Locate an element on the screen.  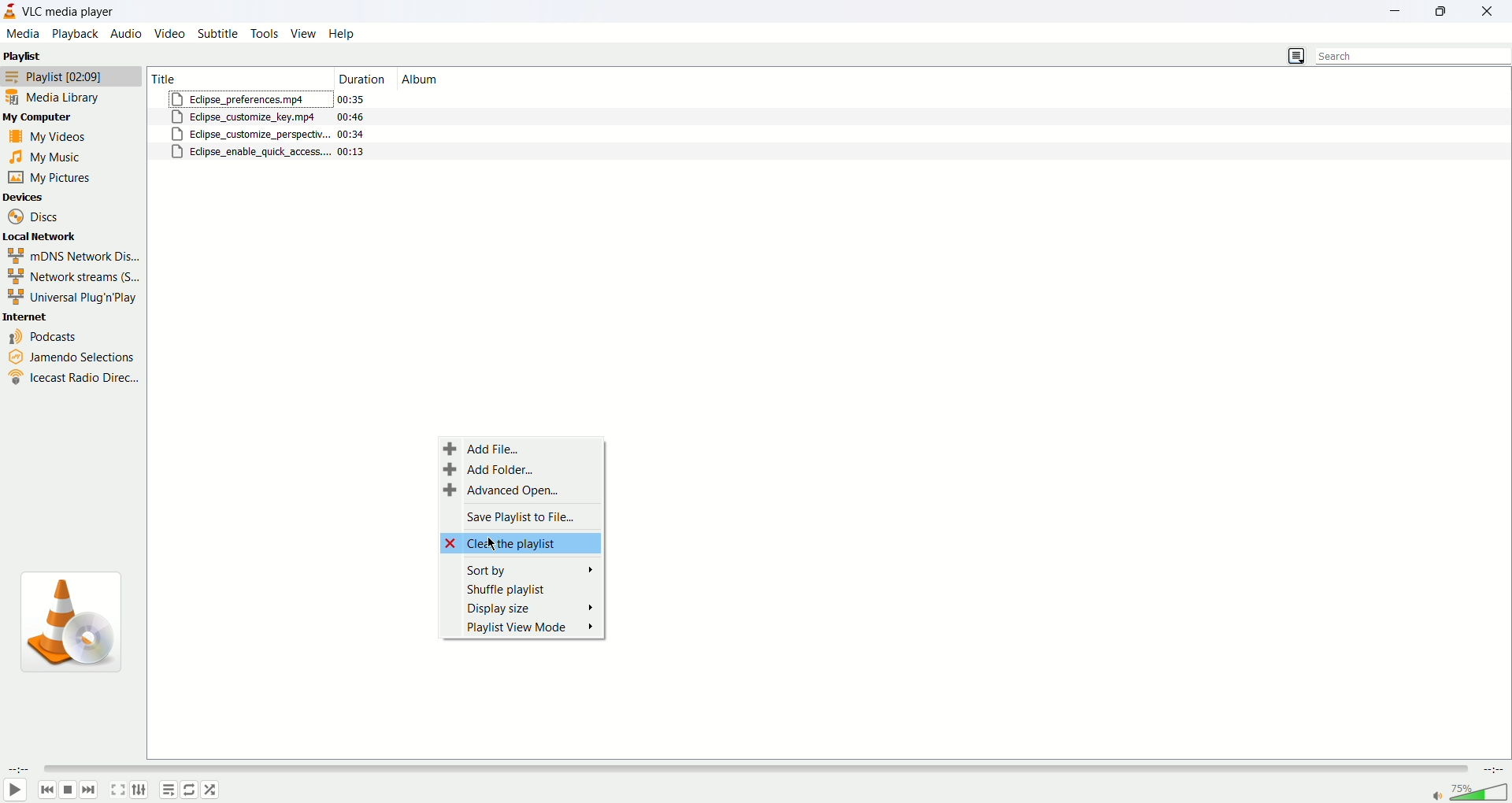
extended settings is located at coordinates (139, 790).